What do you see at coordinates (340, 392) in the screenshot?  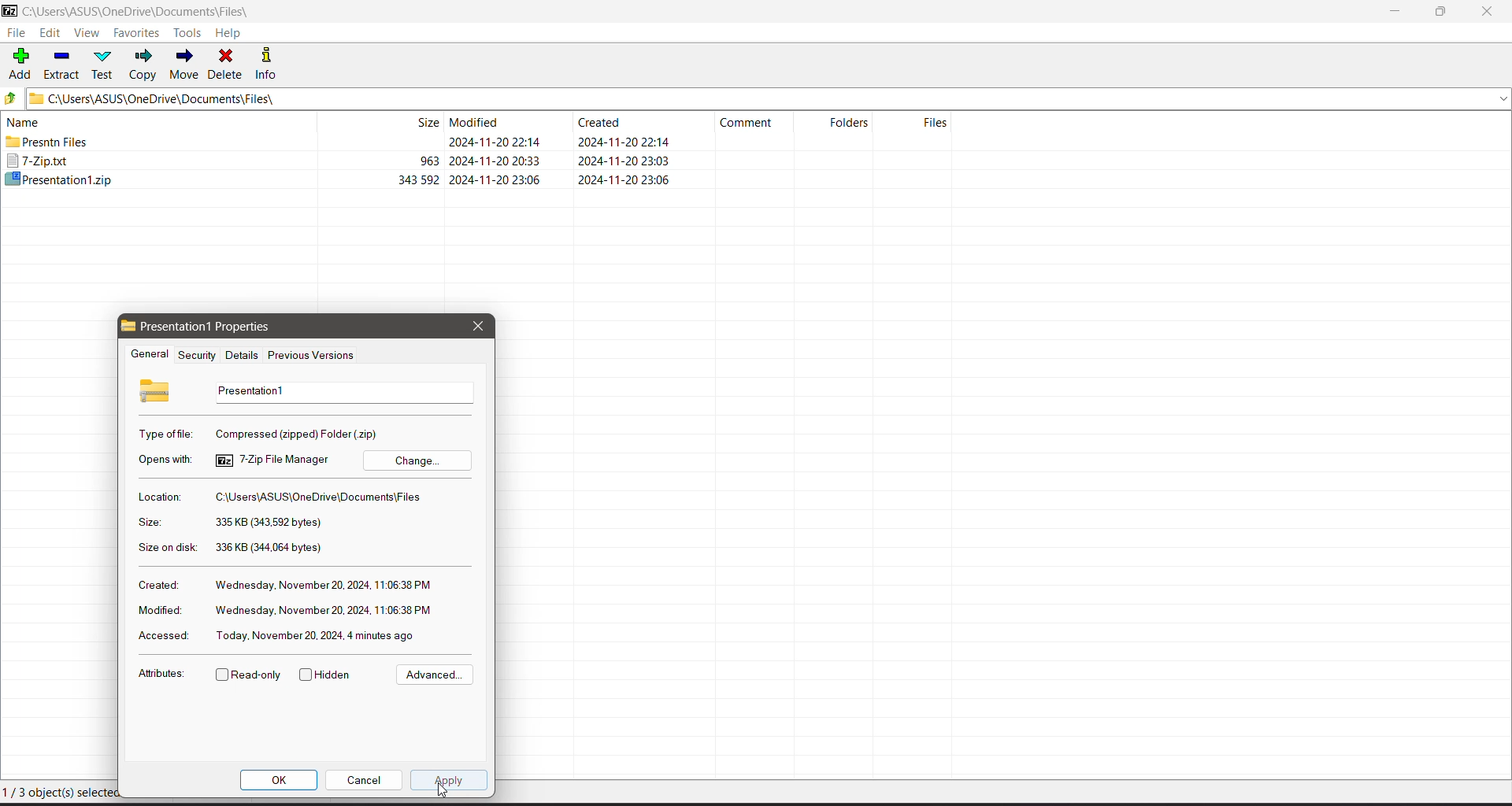 I see `Selected file name` at bounding box center [340, 392].